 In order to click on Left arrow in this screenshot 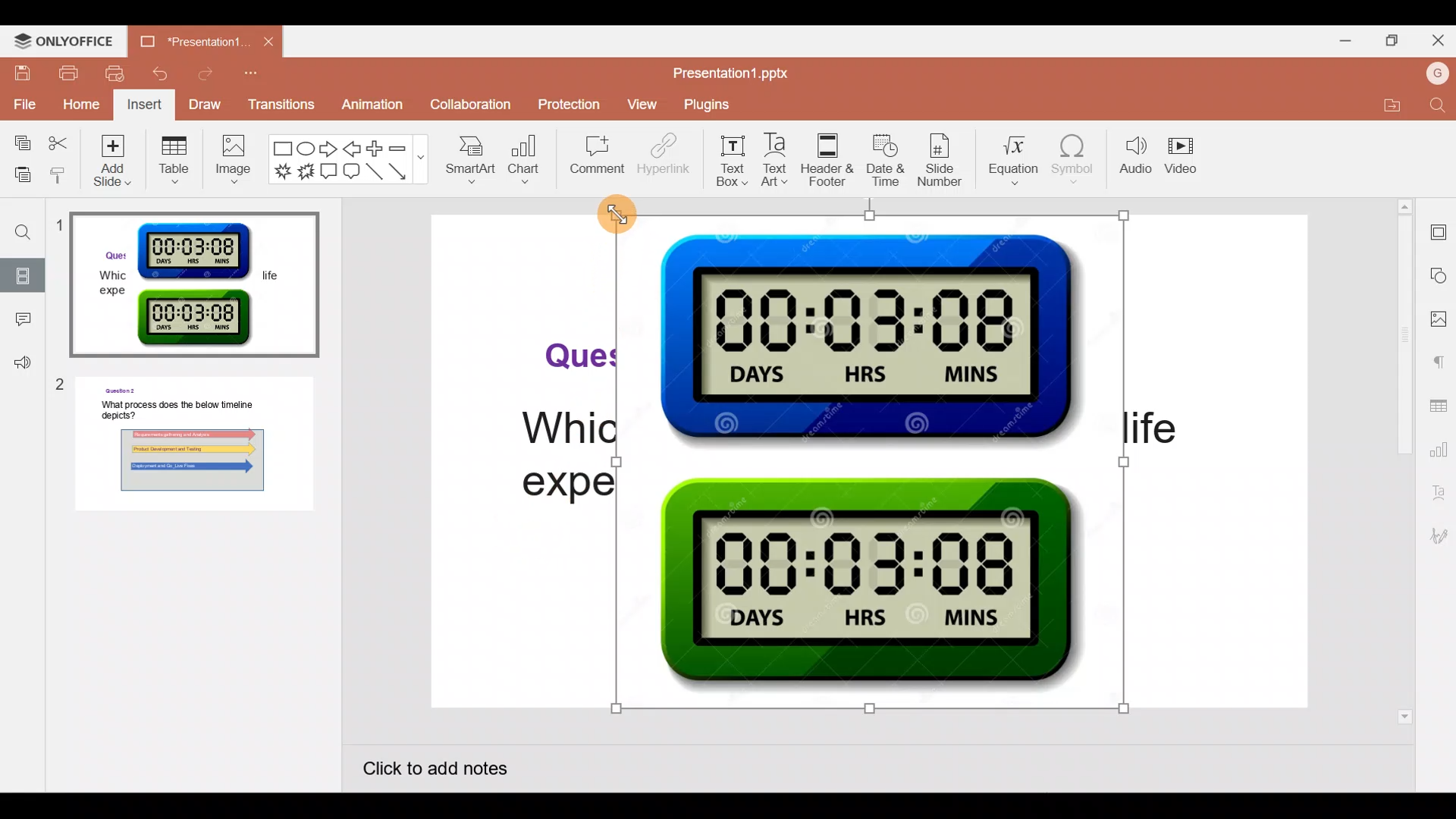, I will do `click(356, 149)`.